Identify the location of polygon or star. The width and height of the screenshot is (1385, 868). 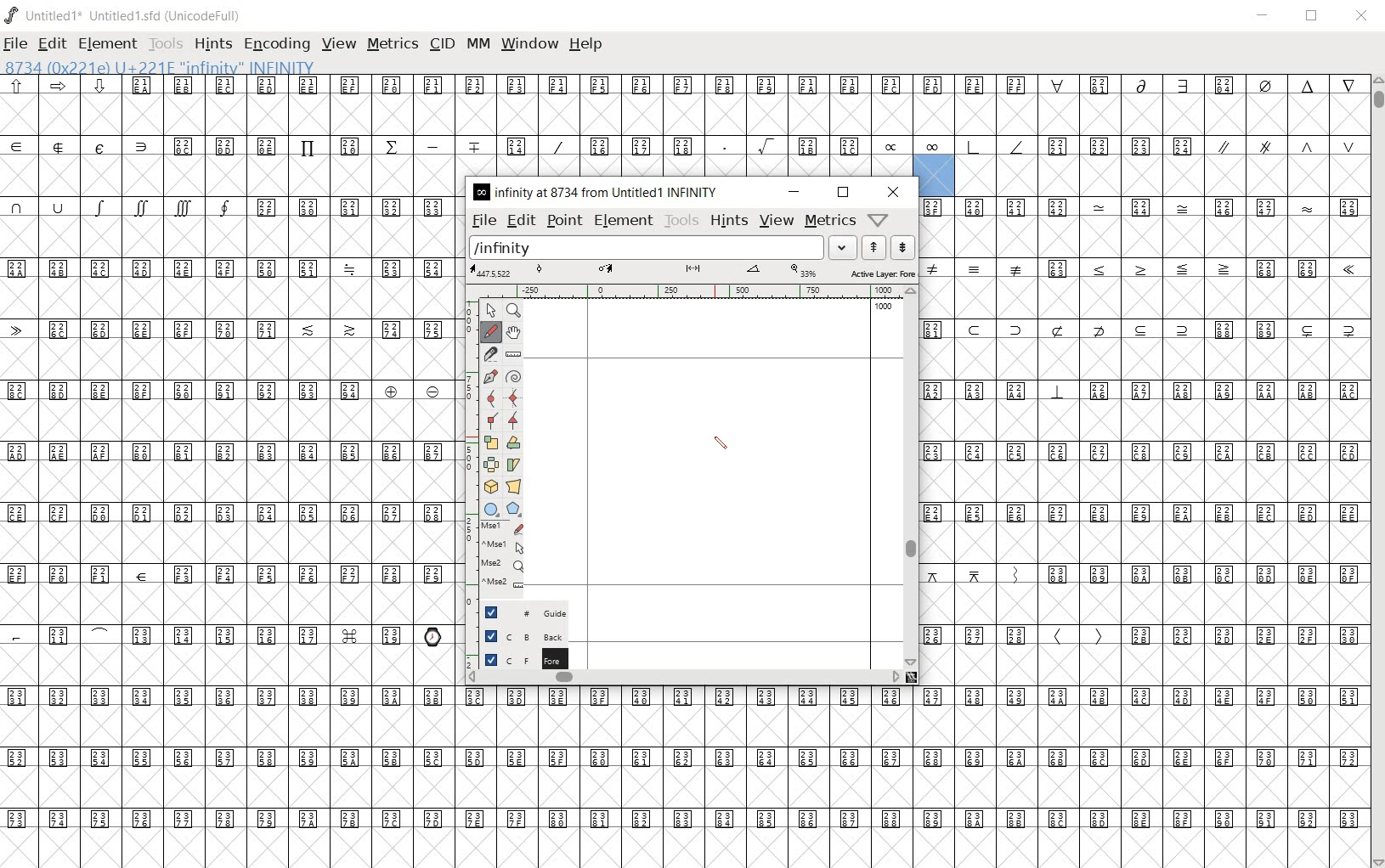
(515, 508).